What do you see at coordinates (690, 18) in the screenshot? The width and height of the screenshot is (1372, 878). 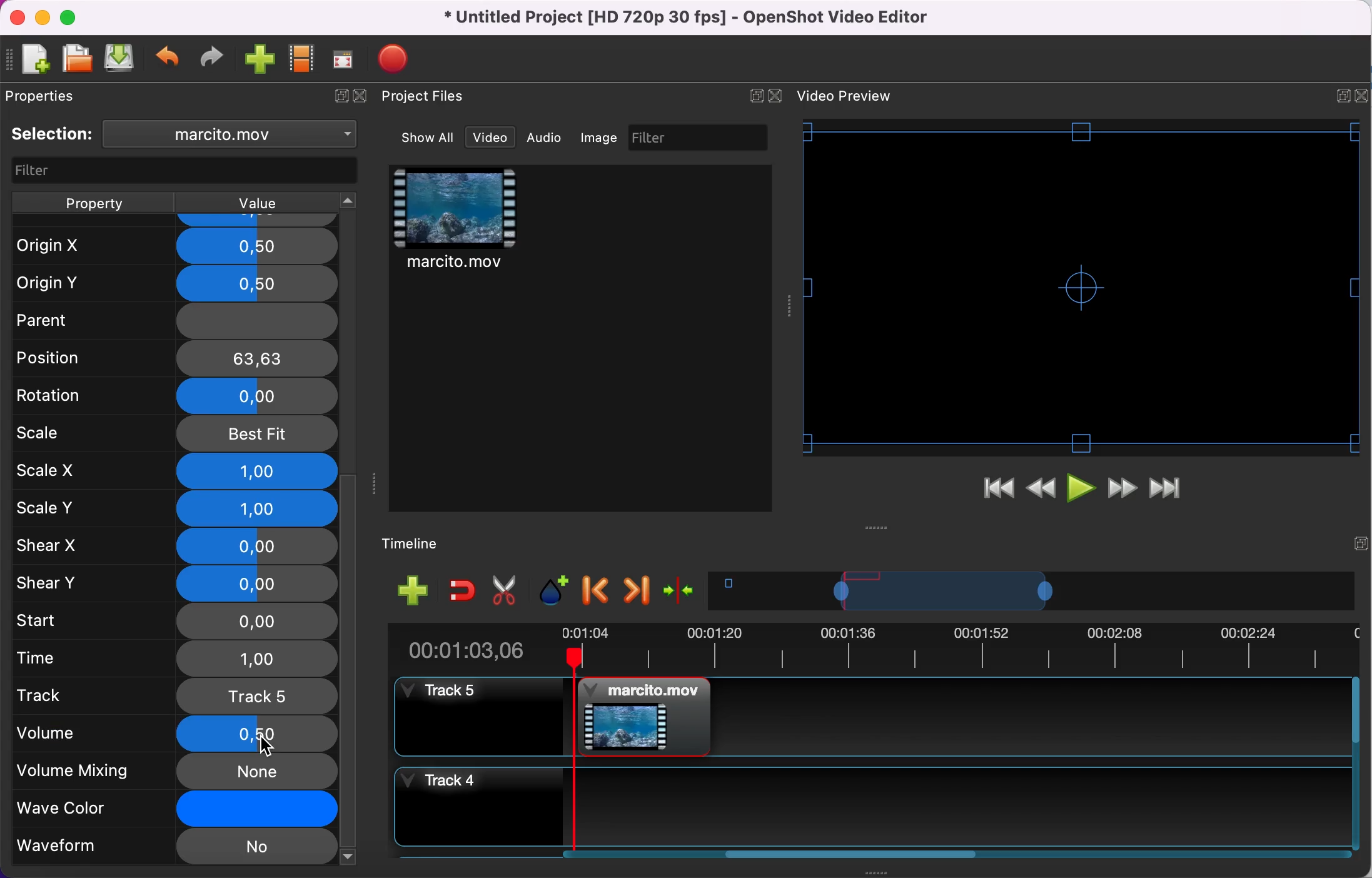 I see `title` at bounding box center [690, 18].